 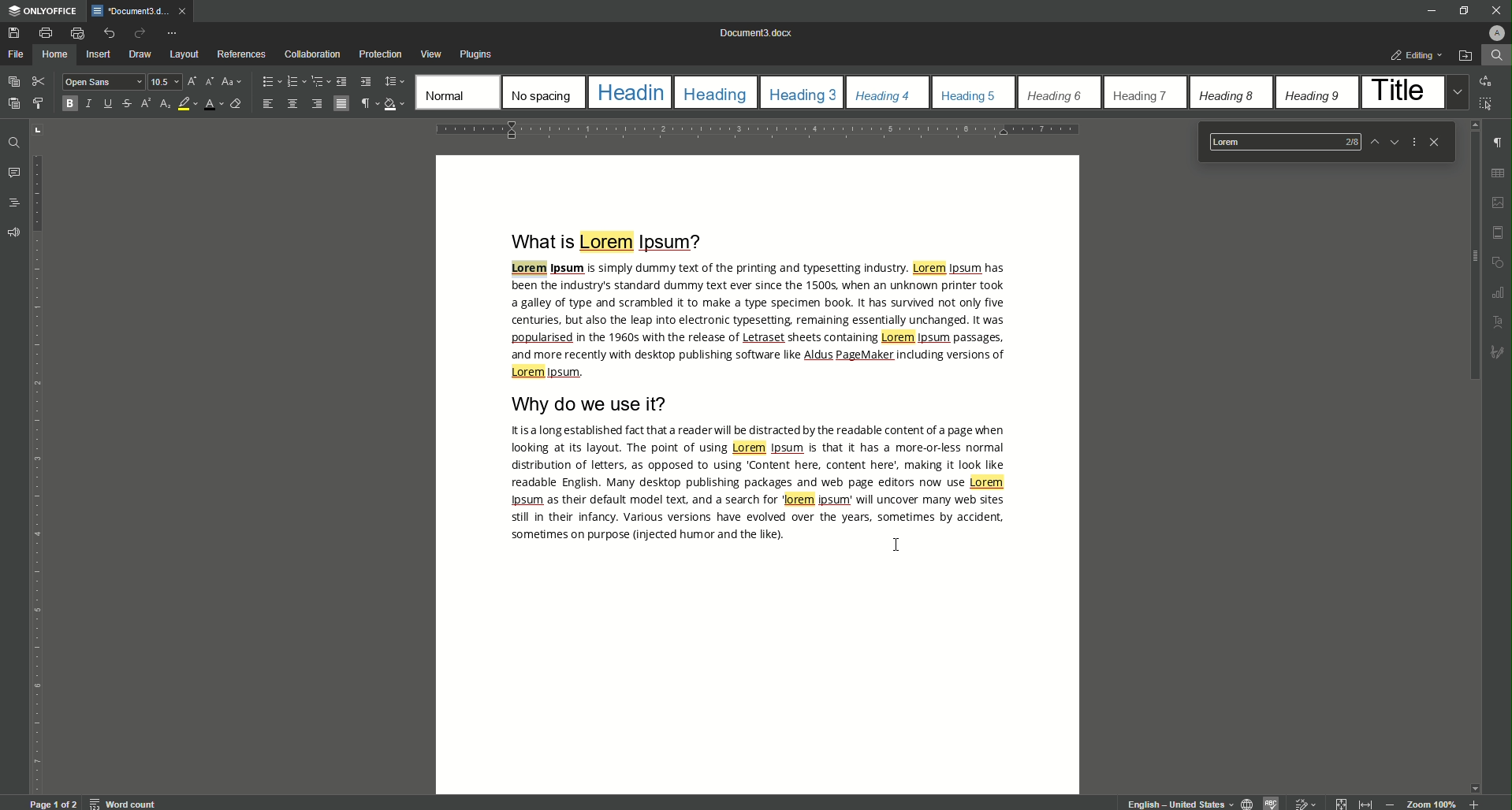 What do you see at coordinates (1499, 170) in the screenshot?
I see `grid` at bounding box center [1499, 170].